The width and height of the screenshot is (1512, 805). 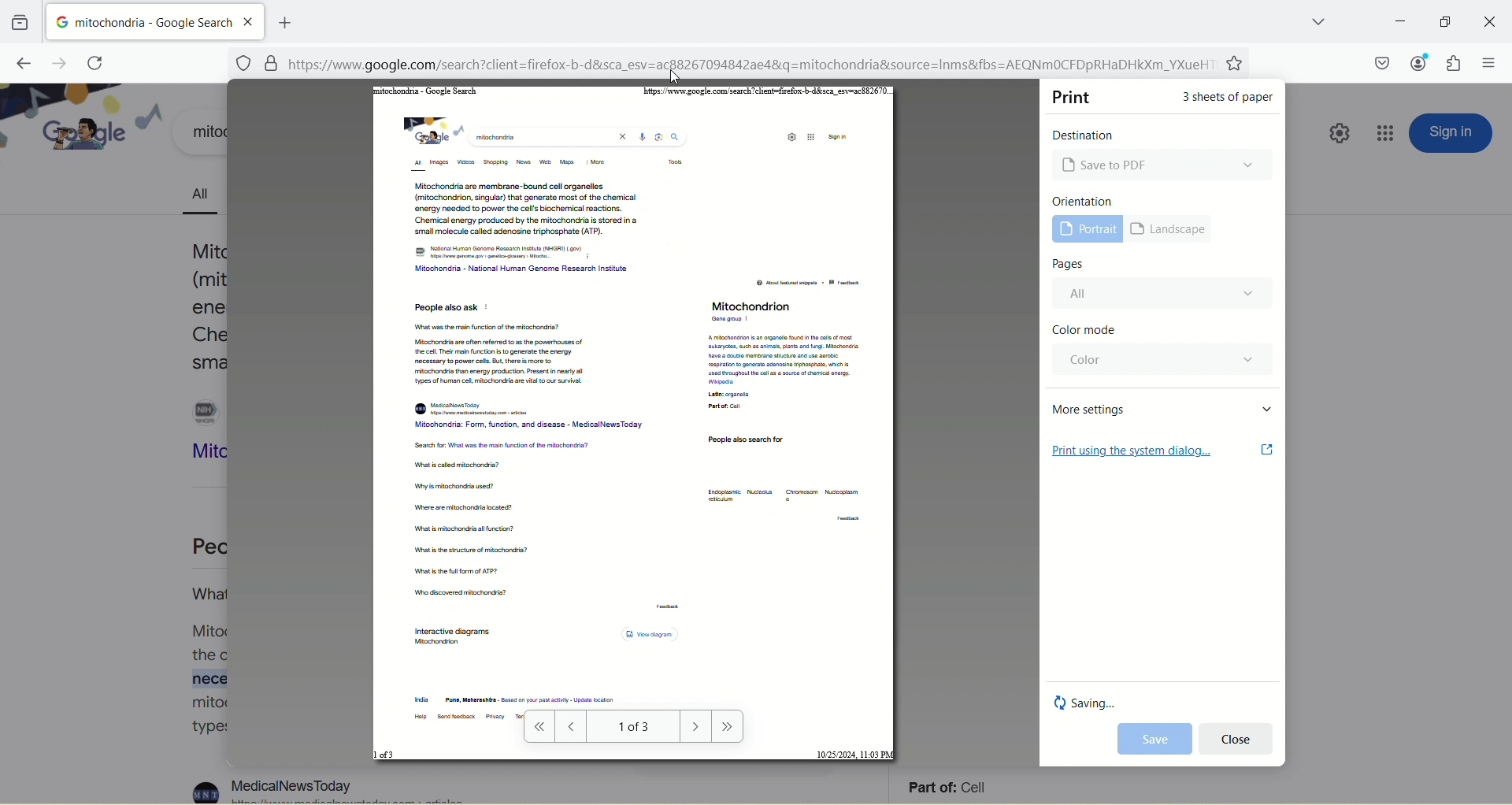 I want to click on cancel, so click(x=1236, y=740).